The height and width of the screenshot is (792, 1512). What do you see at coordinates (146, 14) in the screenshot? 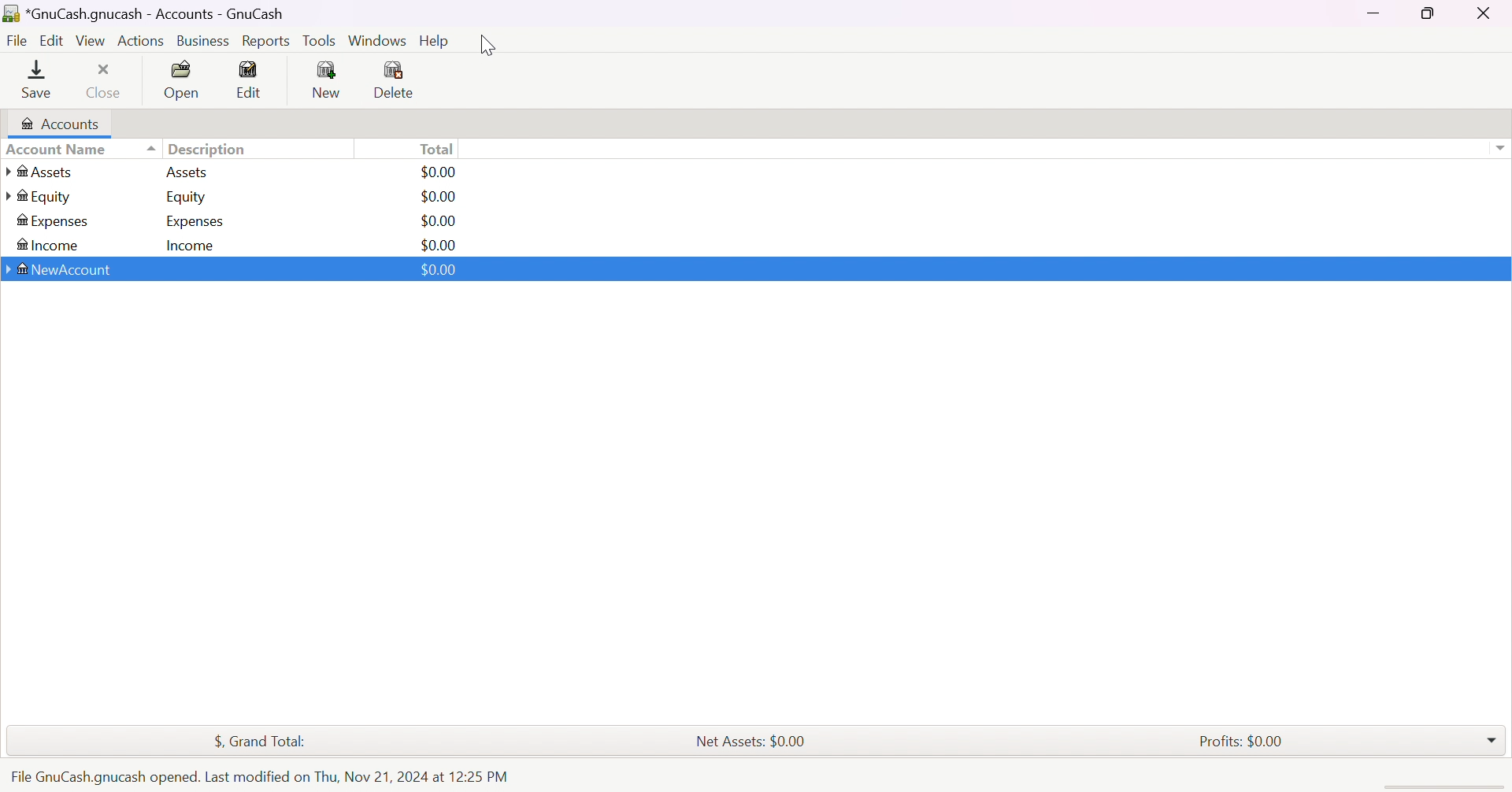
I see `GnuCash.gnucash - Accounts - GnuCash` at bounding box center [146, 14].